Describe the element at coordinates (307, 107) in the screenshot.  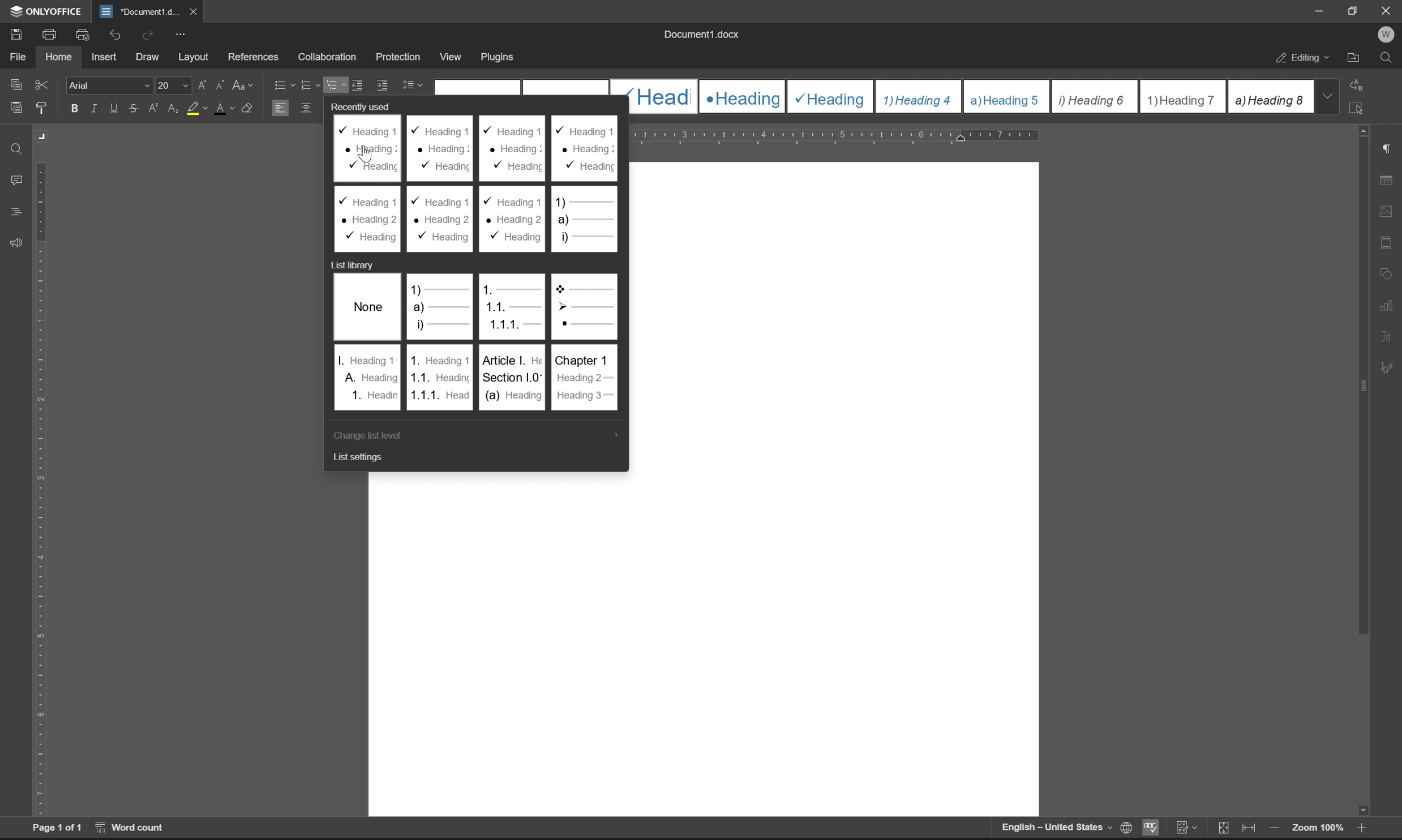
I see `align center` at that location.